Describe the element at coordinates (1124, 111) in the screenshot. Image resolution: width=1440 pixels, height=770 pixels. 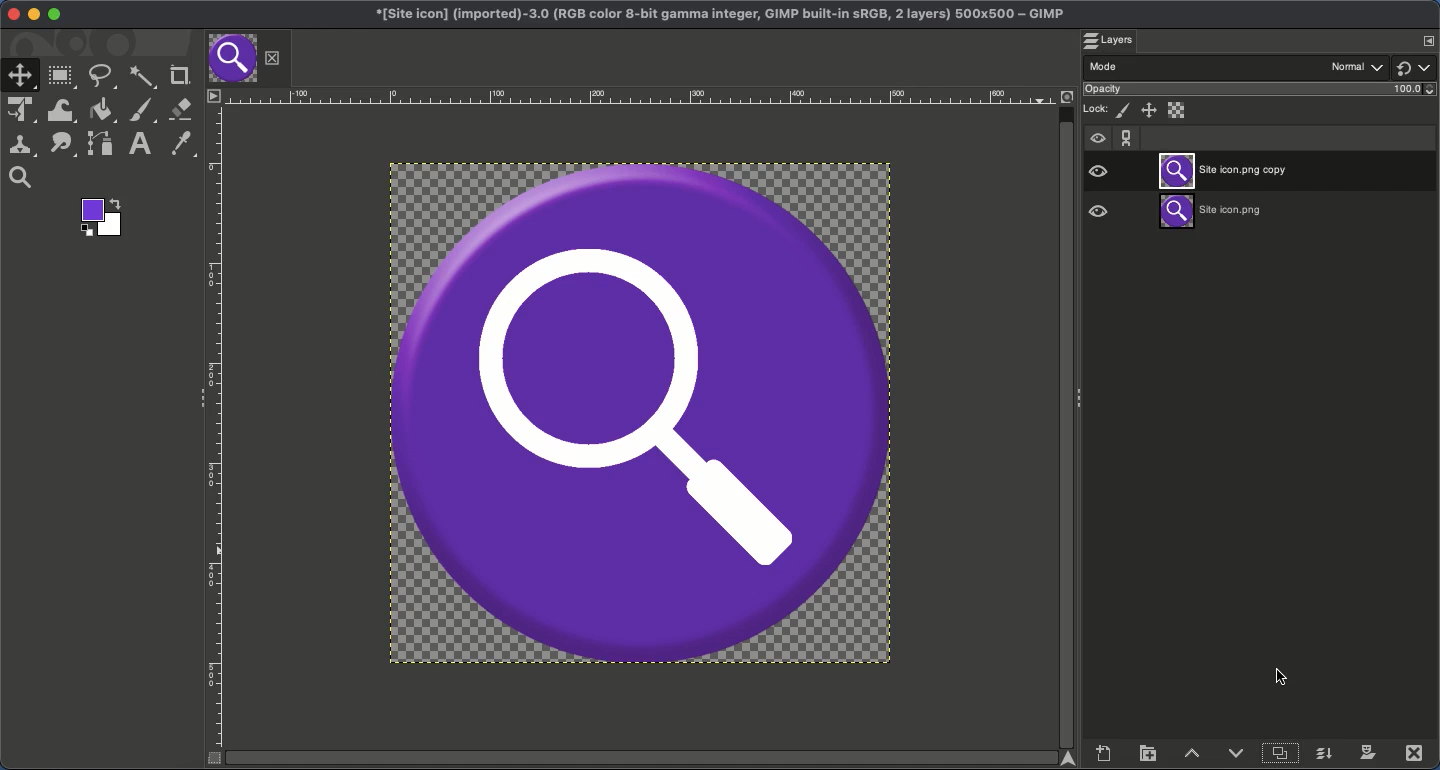
I see `Pixels` at that location.